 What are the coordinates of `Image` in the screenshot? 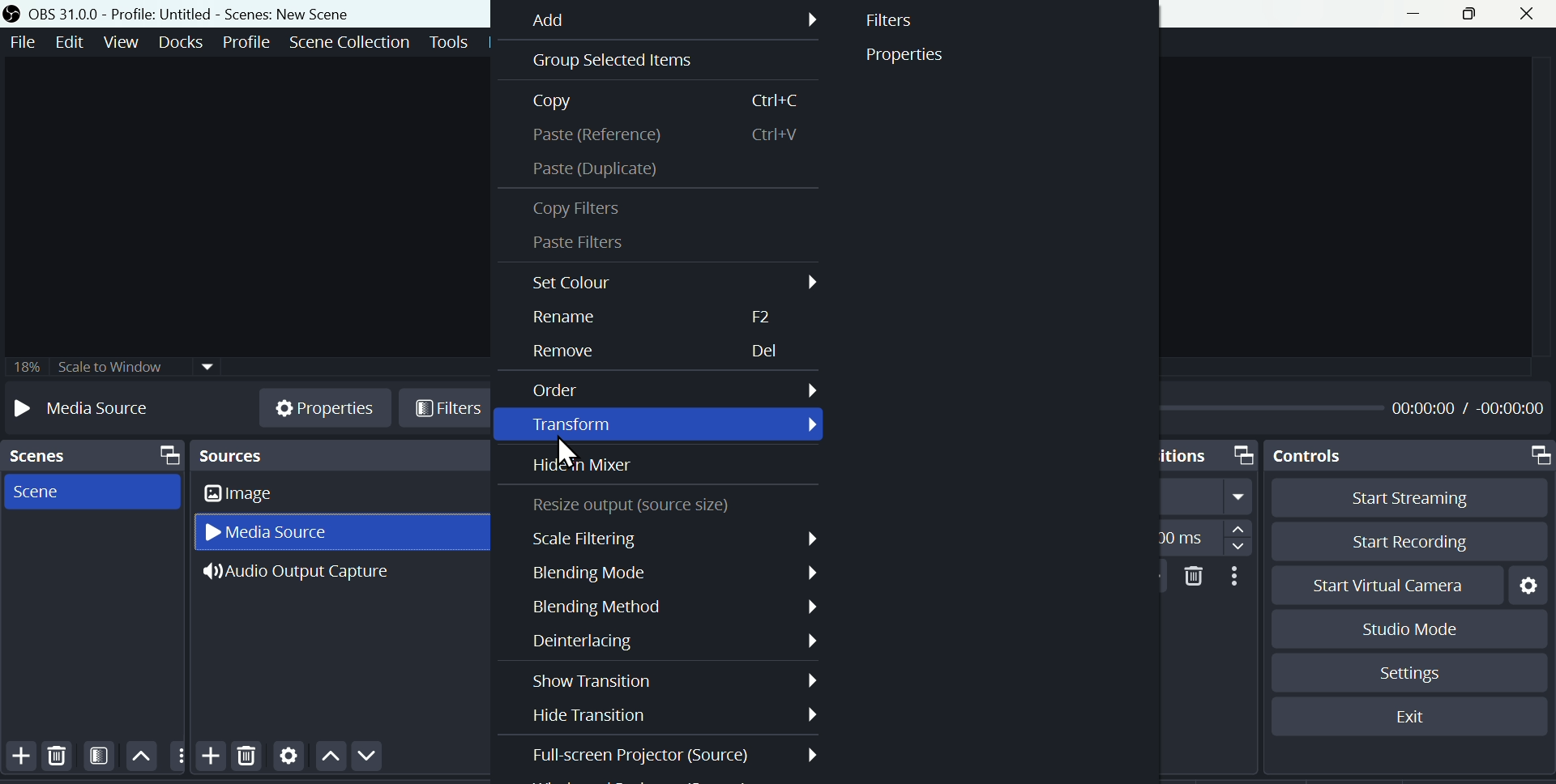 It's located at (271, 495).